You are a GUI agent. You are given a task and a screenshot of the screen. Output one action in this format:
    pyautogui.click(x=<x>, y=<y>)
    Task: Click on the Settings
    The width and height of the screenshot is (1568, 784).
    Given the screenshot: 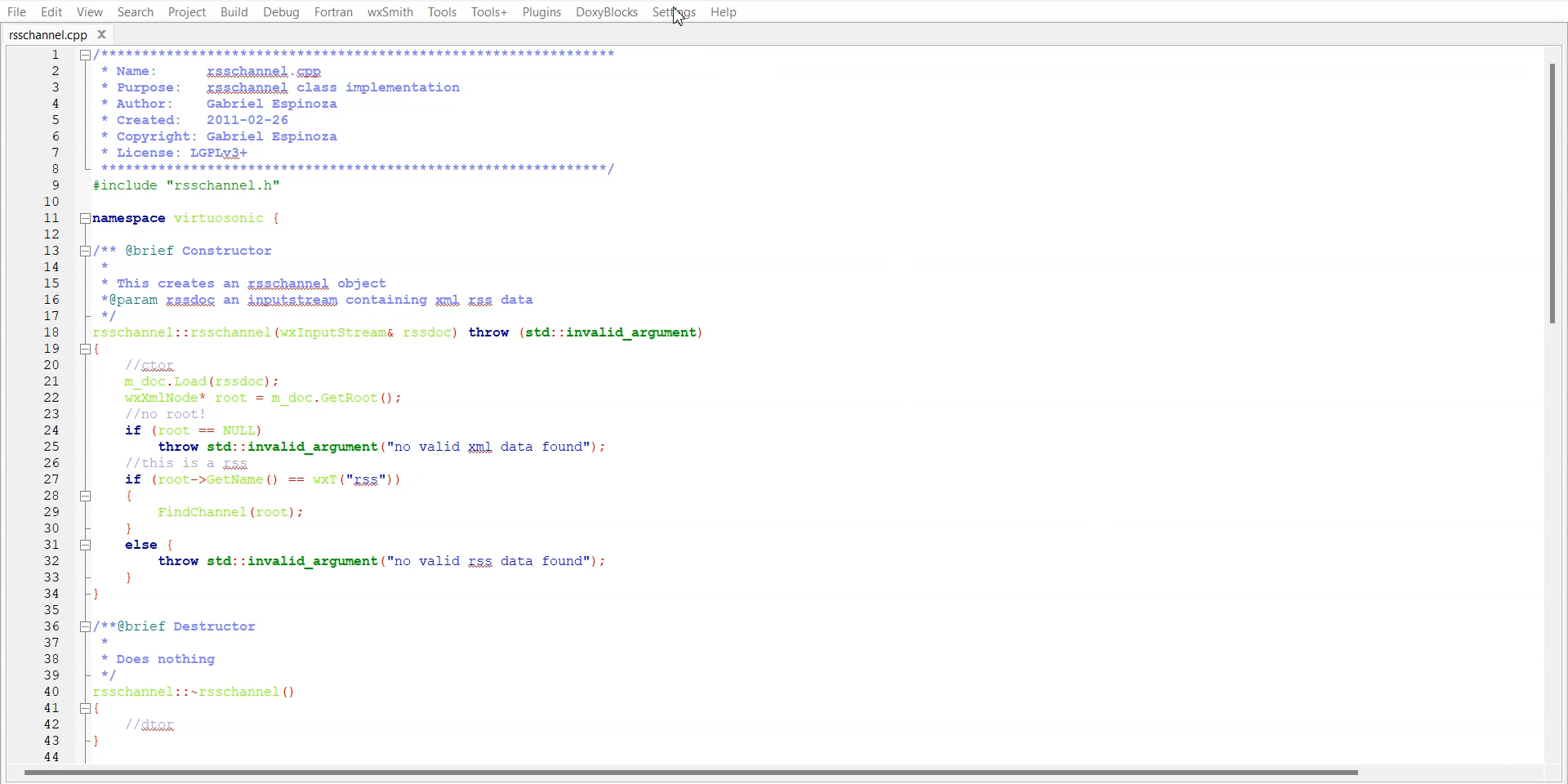 What is the action you would take?
    pyautogui.click(x=675, y=11)
    